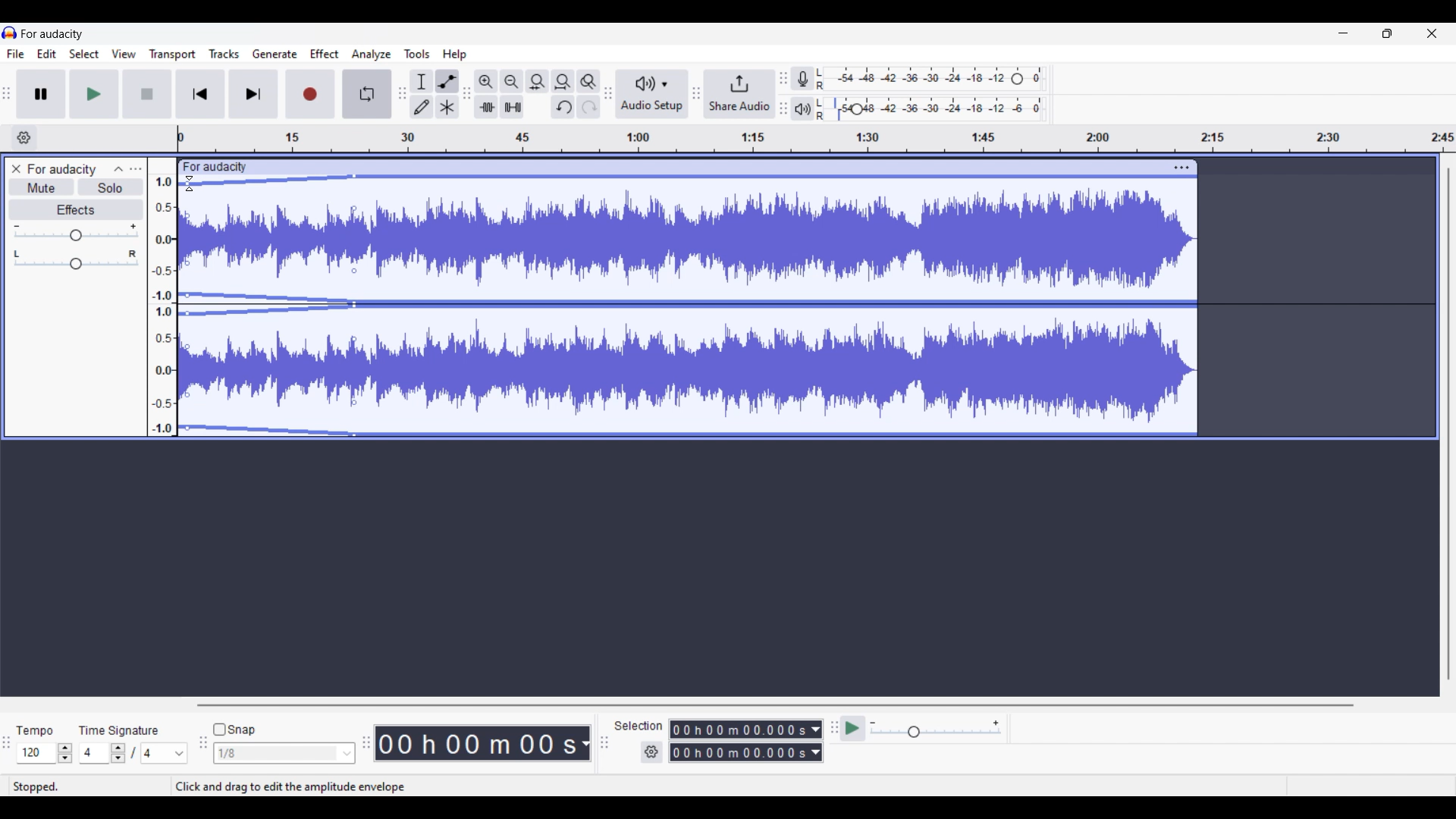  I want to click on Help, so click(454, 55).